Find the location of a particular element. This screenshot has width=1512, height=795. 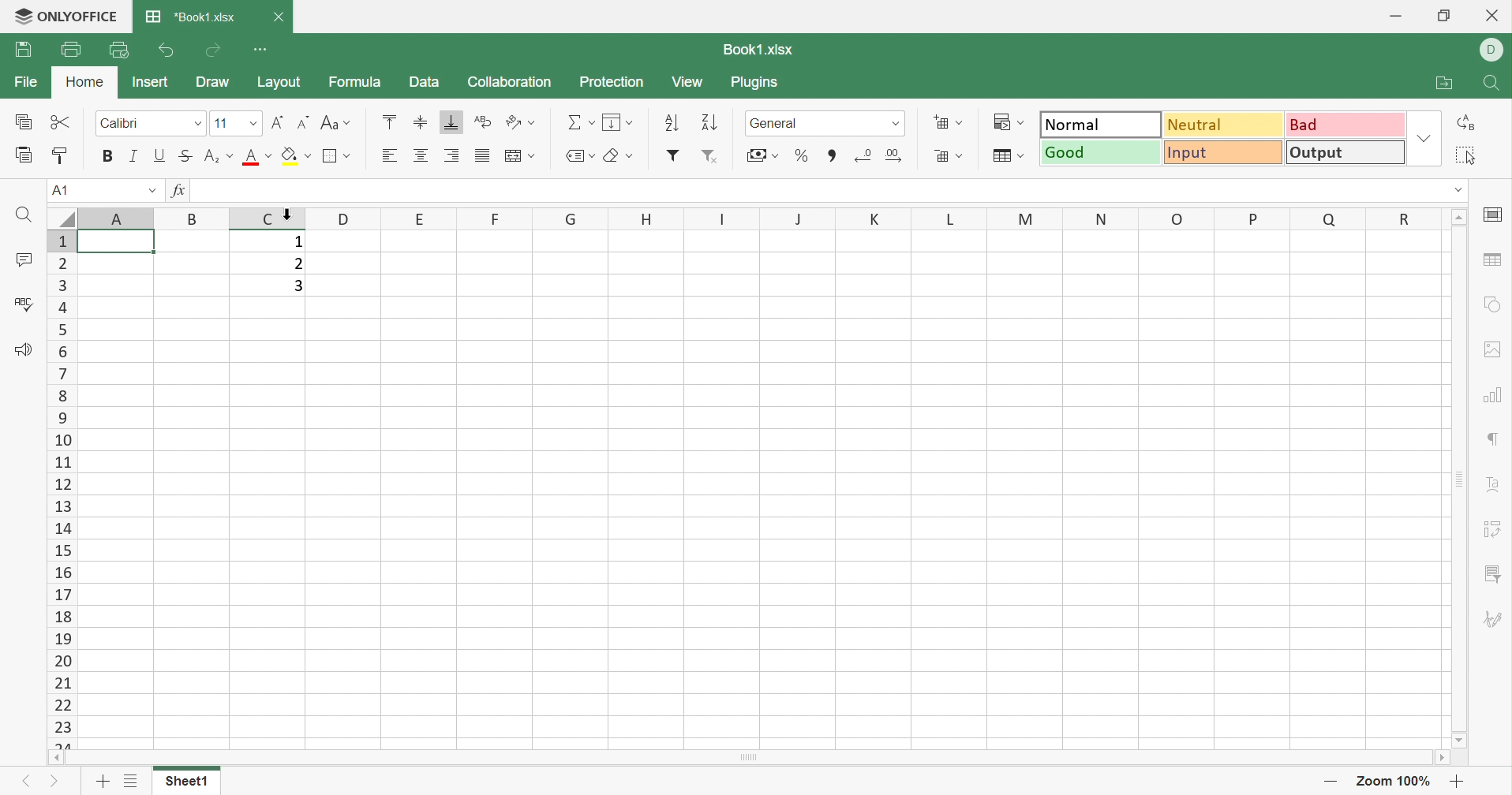

11 is located at coordinates (224, 121).